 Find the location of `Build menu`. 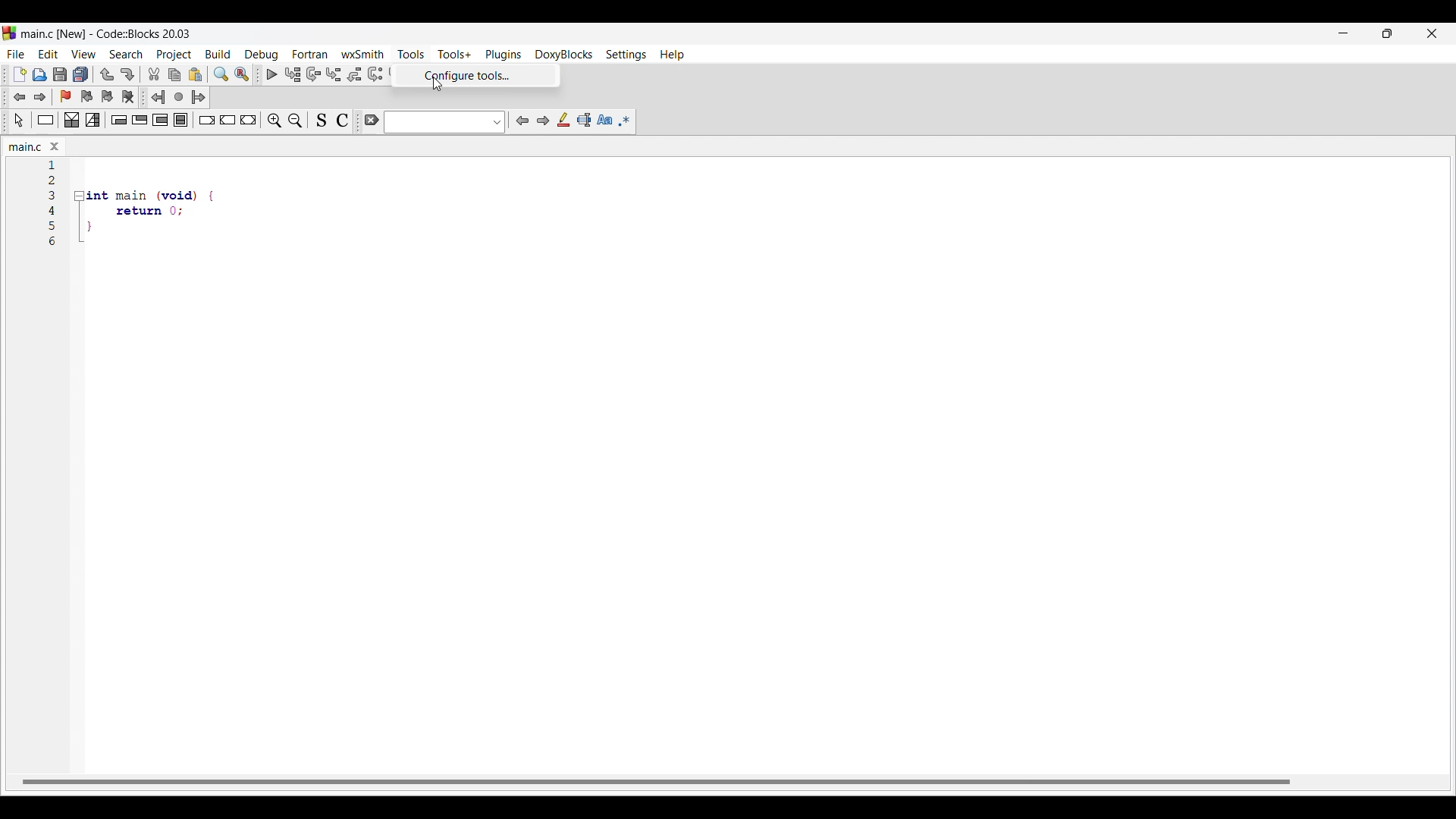

Build menu is located at coordinates (218, 54).